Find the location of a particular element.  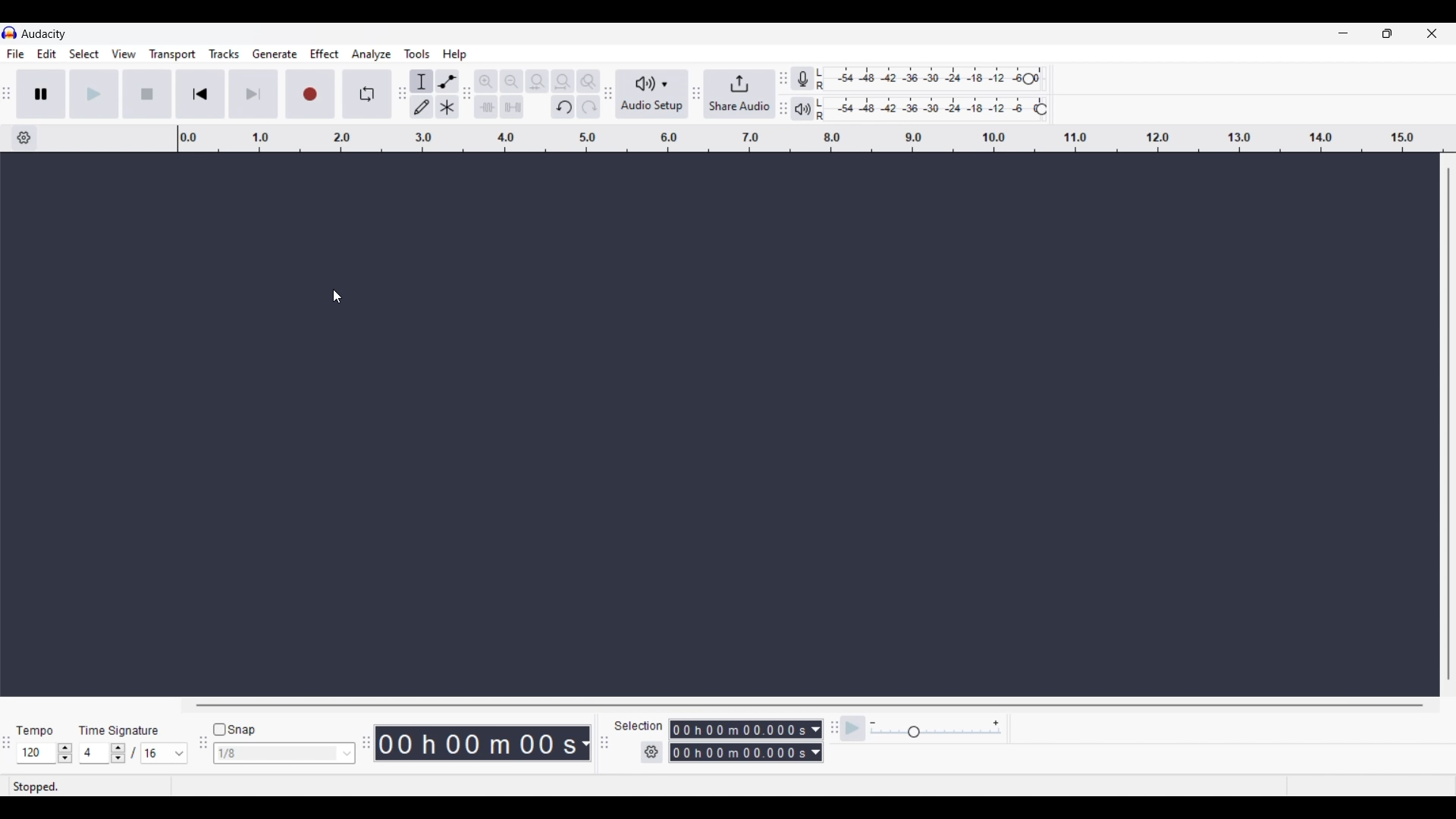

Recording duration is located at coordinates (737, 741).